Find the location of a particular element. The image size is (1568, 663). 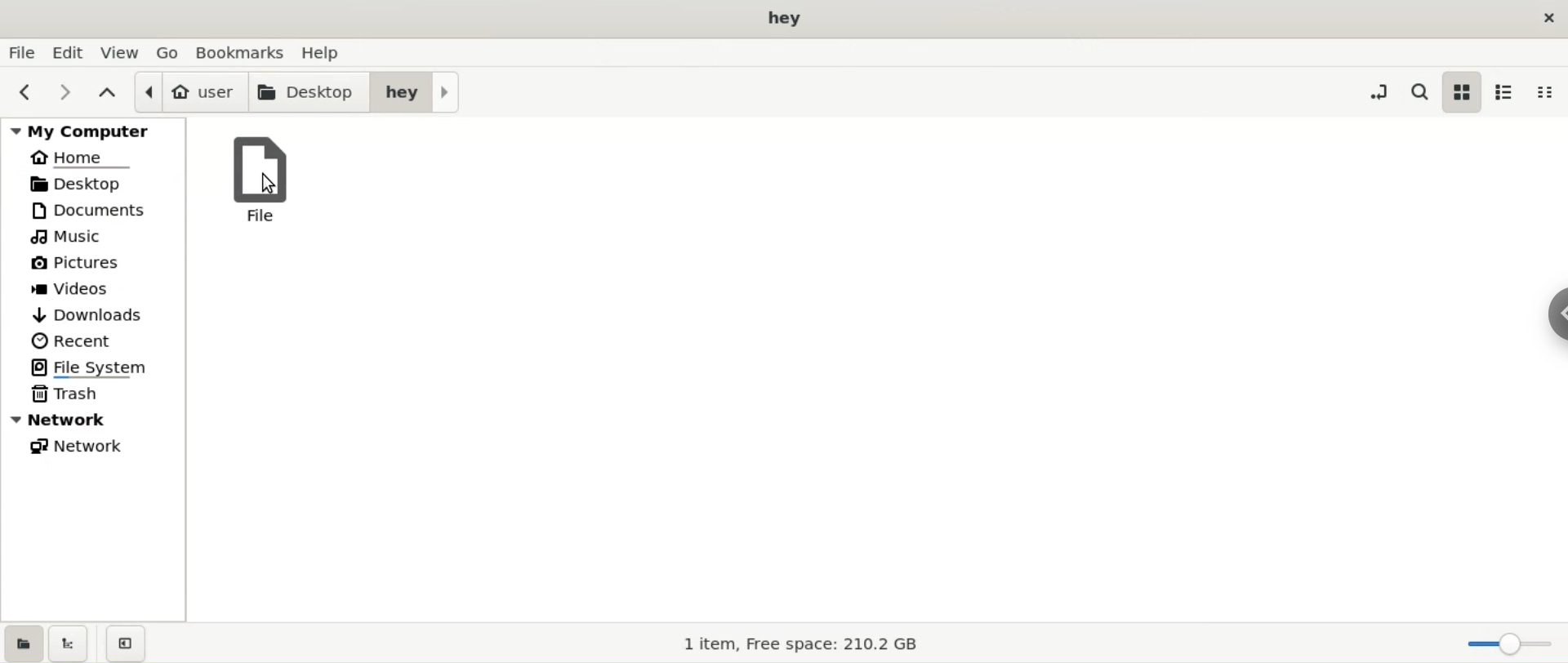

parent folders is located at coordinates (105, 91).